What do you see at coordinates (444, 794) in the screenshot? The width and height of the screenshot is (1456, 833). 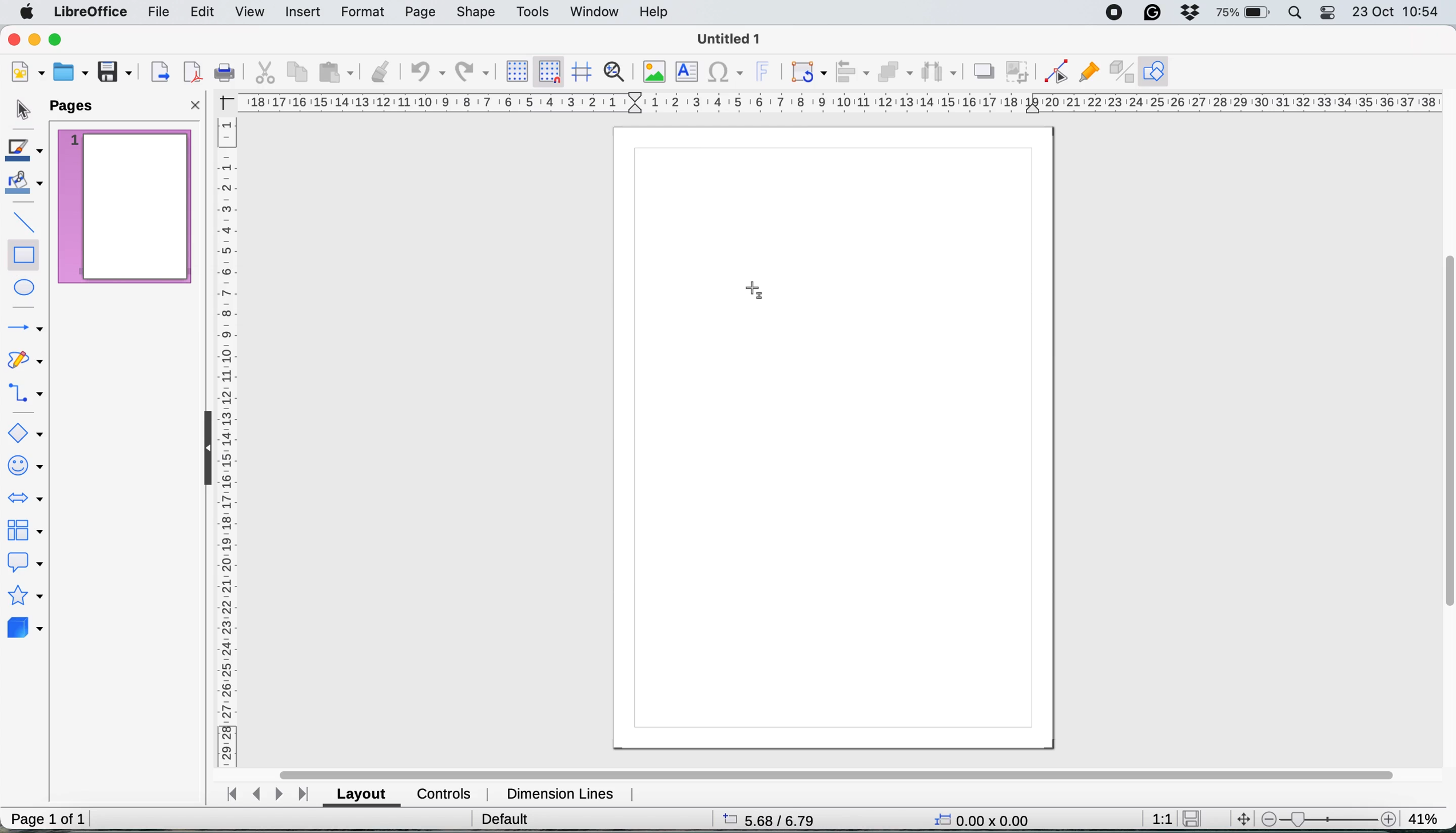 I see `controls` at bounding box center [444, 794].